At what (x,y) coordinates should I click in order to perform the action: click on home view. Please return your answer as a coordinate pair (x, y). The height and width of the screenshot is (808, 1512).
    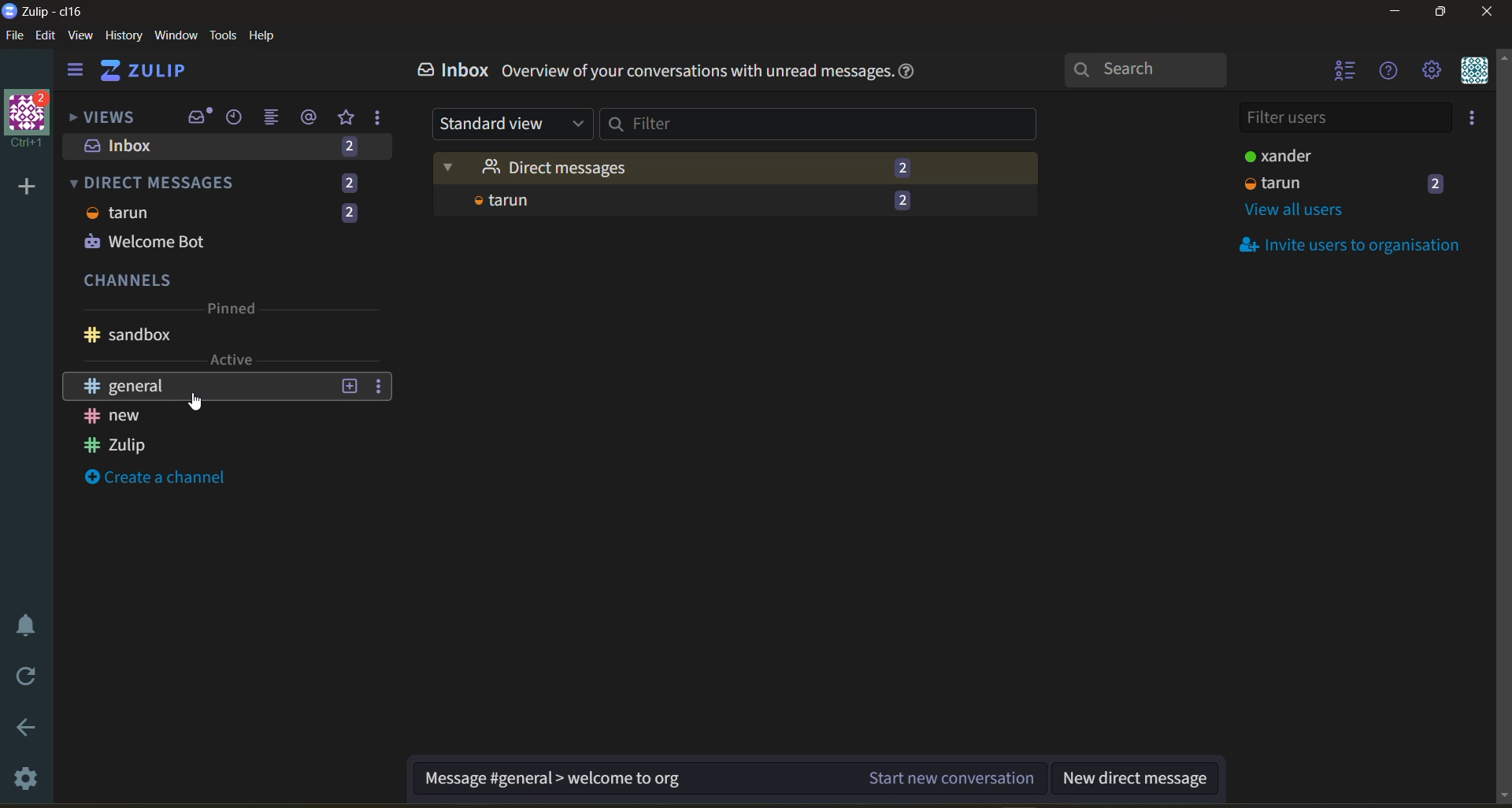
    Looking at the image, I should click on (154, 75).